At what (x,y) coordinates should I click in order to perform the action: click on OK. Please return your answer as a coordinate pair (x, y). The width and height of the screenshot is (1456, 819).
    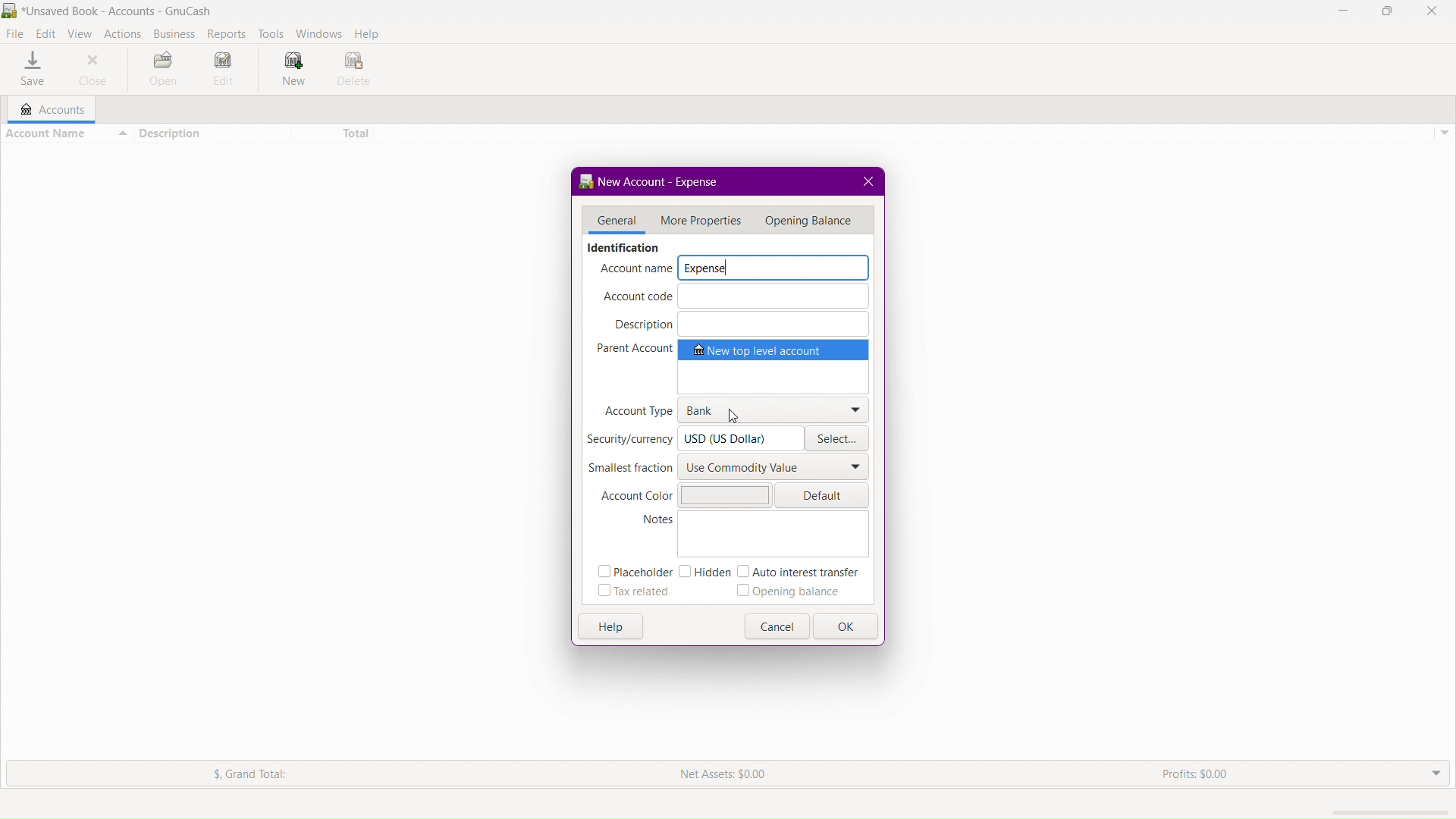
    Looking at the image, I should click on (848, 628).